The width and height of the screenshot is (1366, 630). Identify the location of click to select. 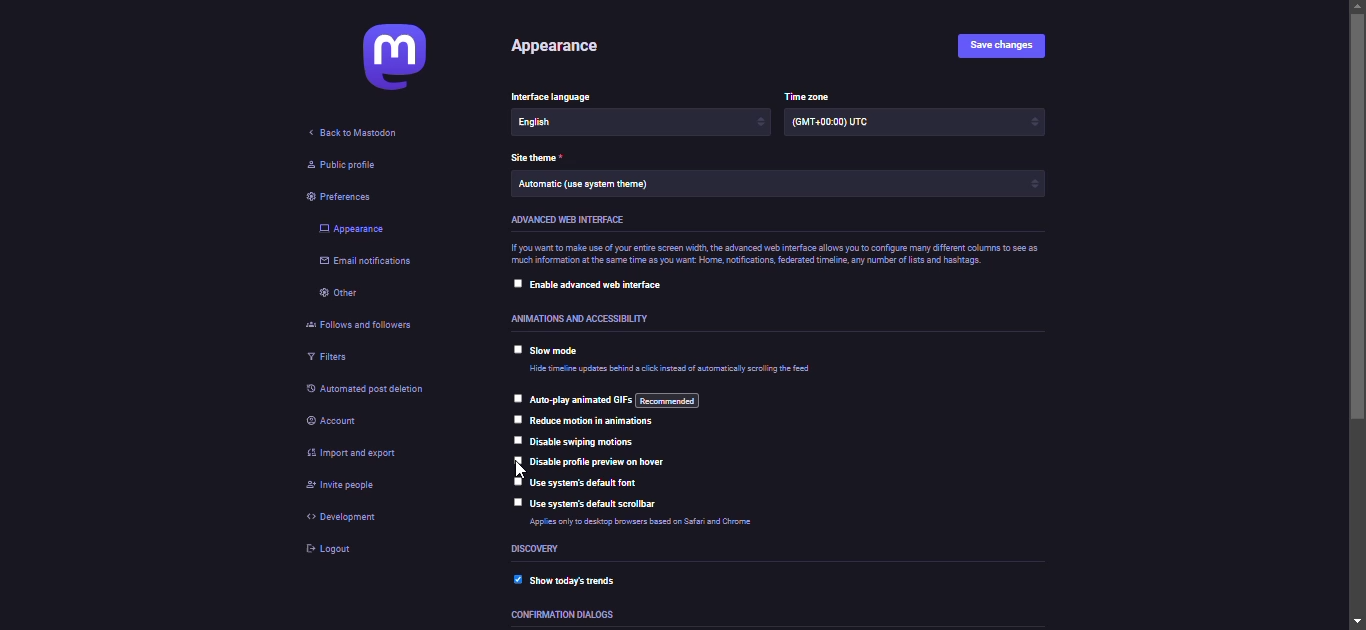
(517, 282).